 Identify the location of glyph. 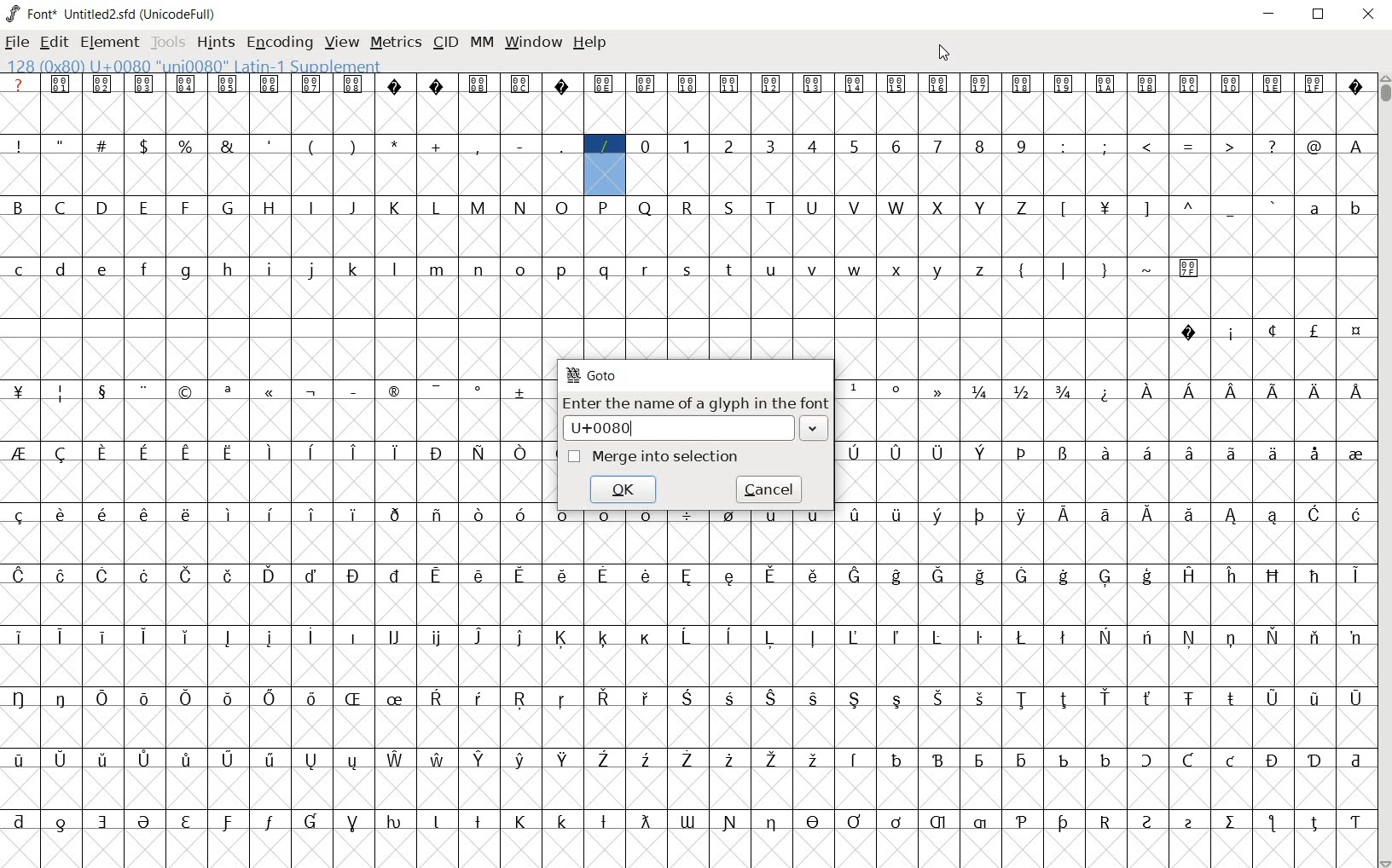
(1147, 452).